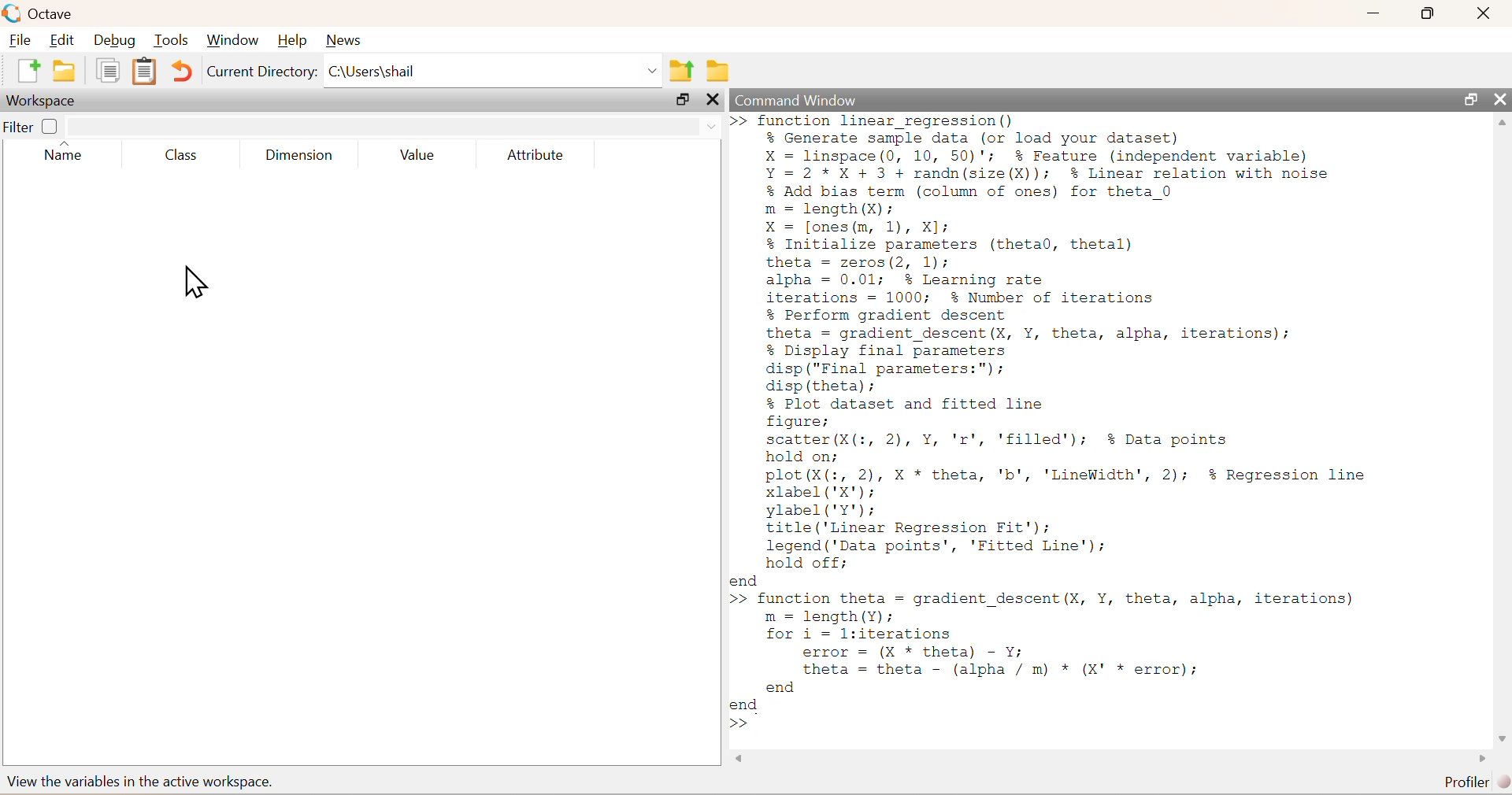 Image resolution: width=1512 pixels, height=795 pixels. I want to click on Filter, so click(31, 126).